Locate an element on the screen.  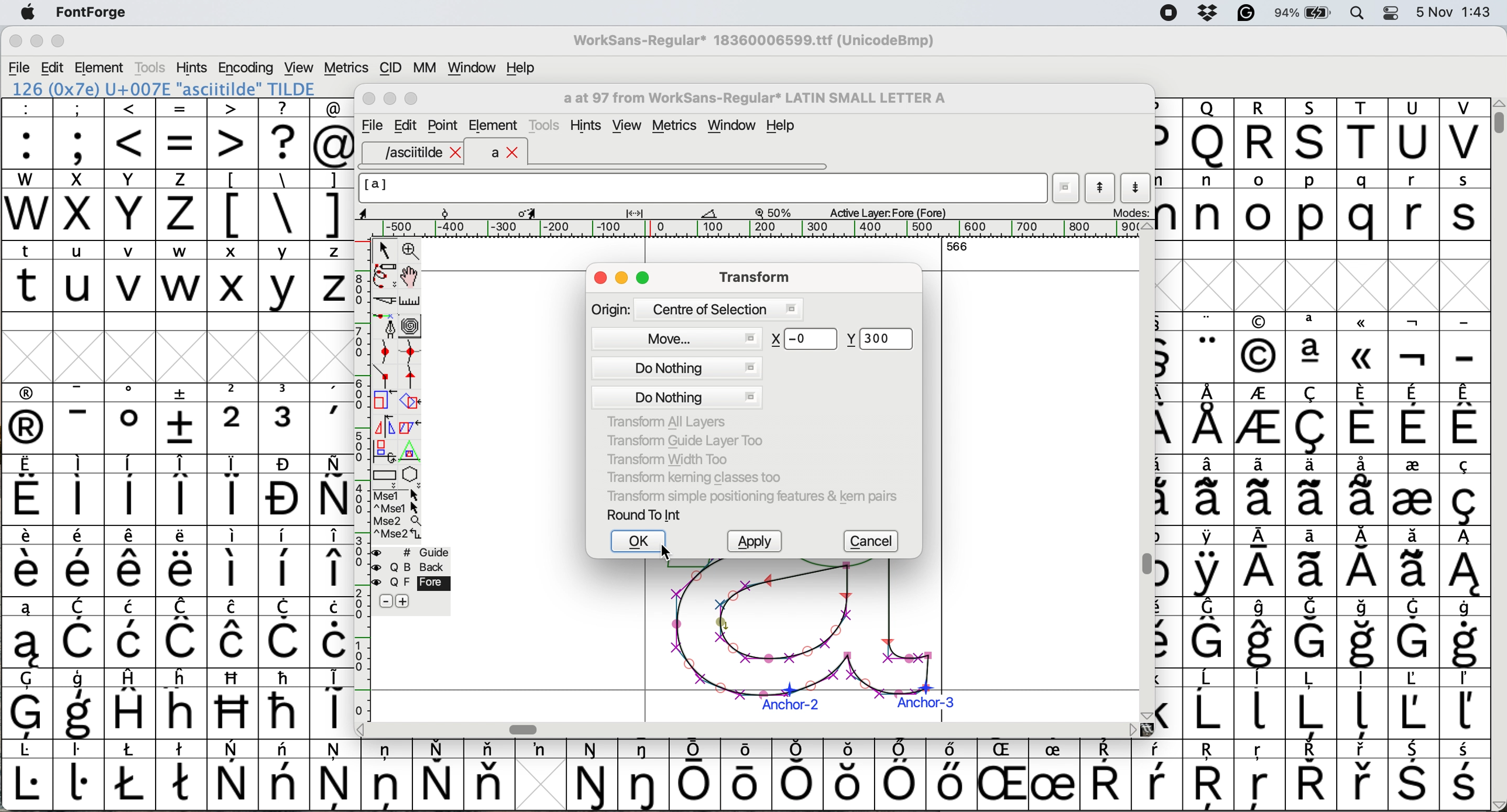
symbol is located at coordinates (80, 705).